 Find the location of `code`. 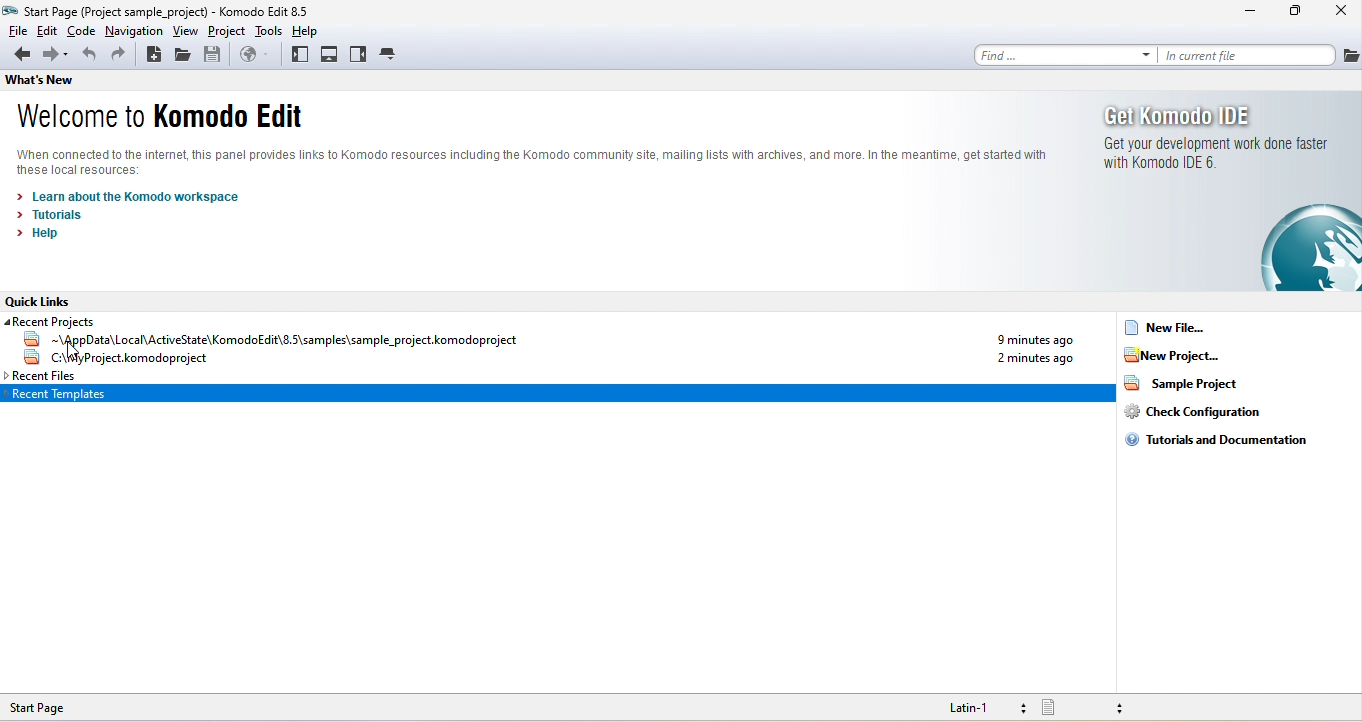

code is located at coordinates (87, 30).